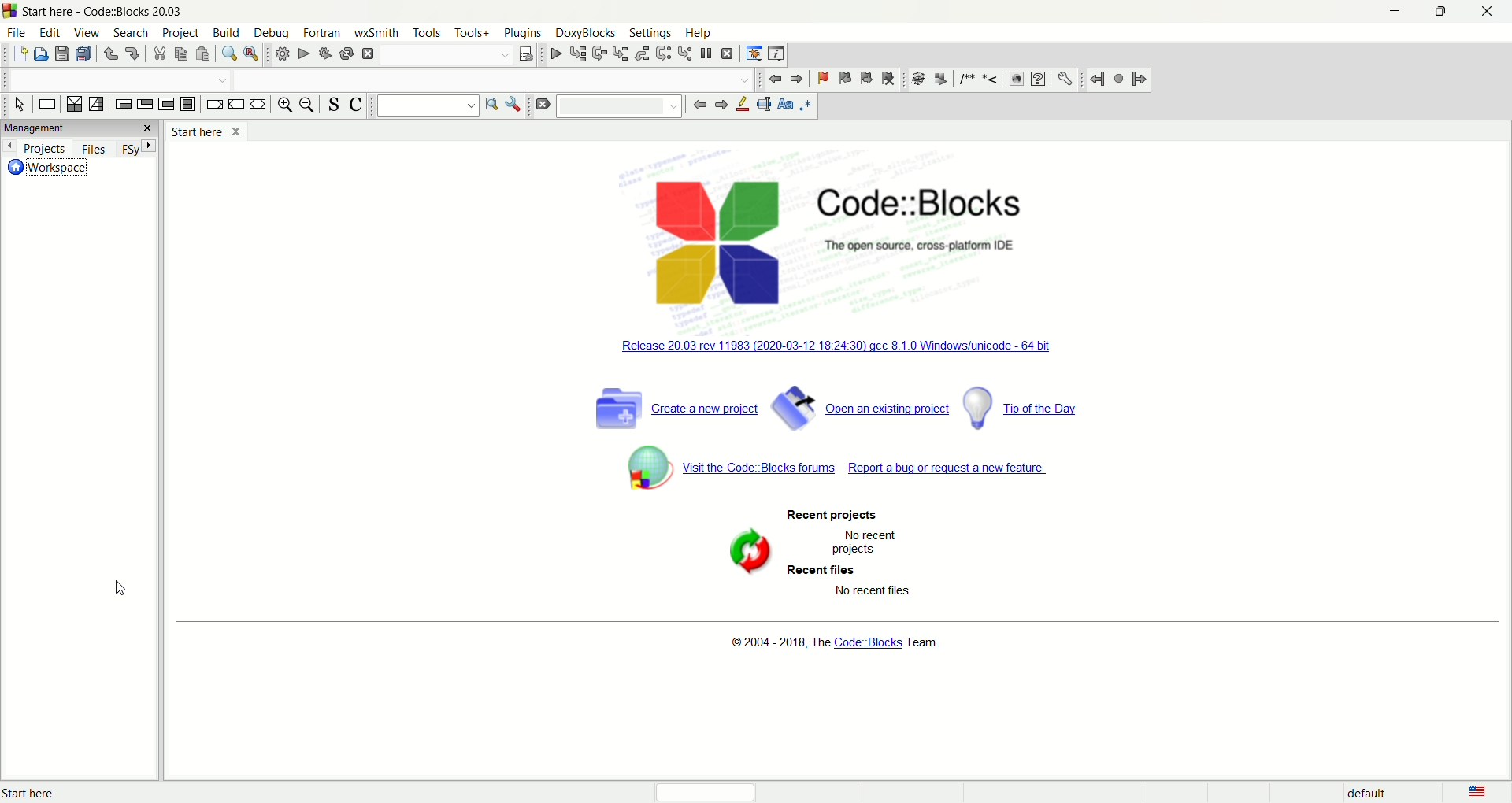 Image resolution: width=1512 pixels, height=803 pixels. I want to click on find, so click(228, 53).